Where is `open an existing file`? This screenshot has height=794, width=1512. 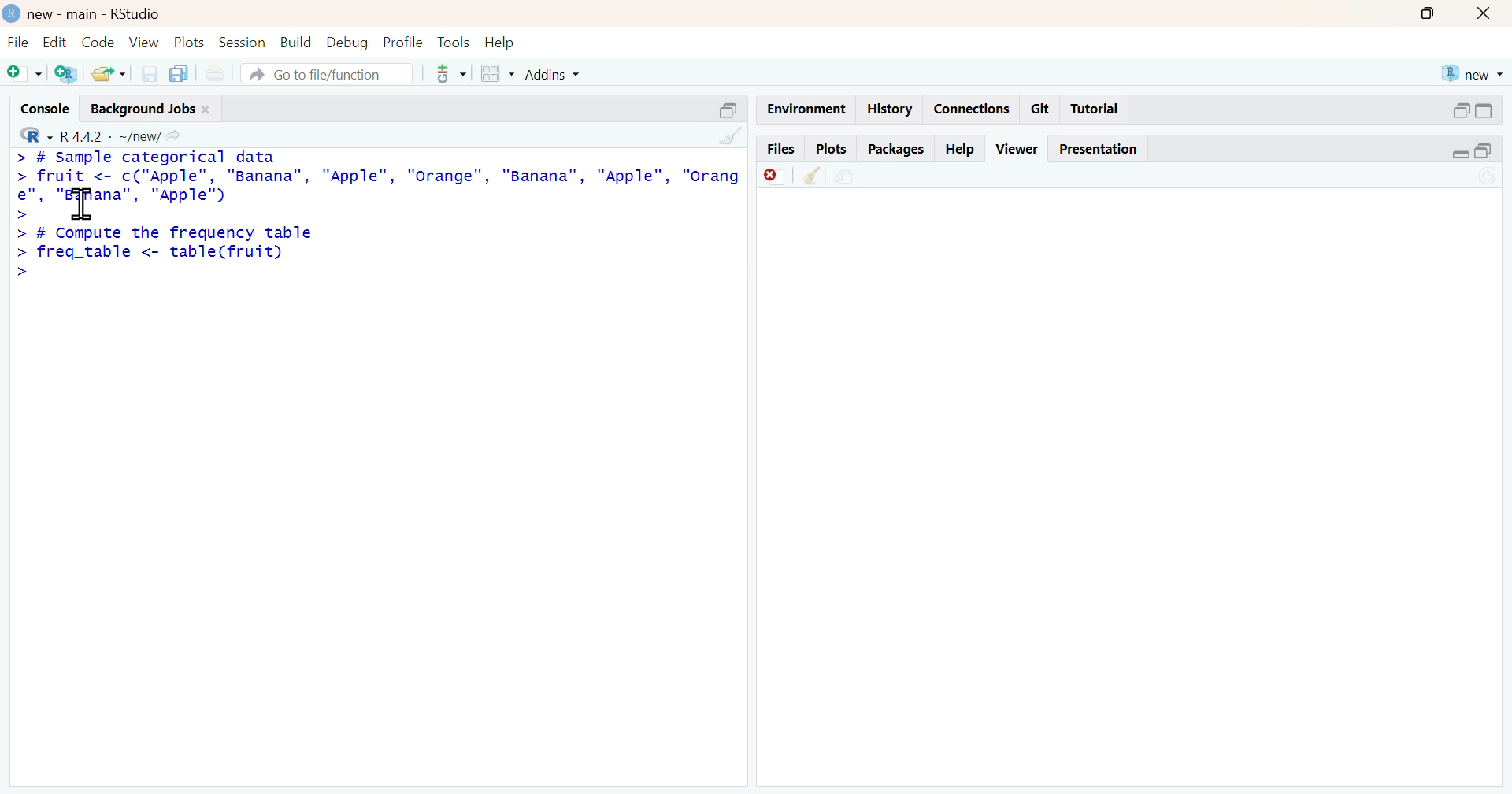 open an existing file is located at coordinates (108, 74).